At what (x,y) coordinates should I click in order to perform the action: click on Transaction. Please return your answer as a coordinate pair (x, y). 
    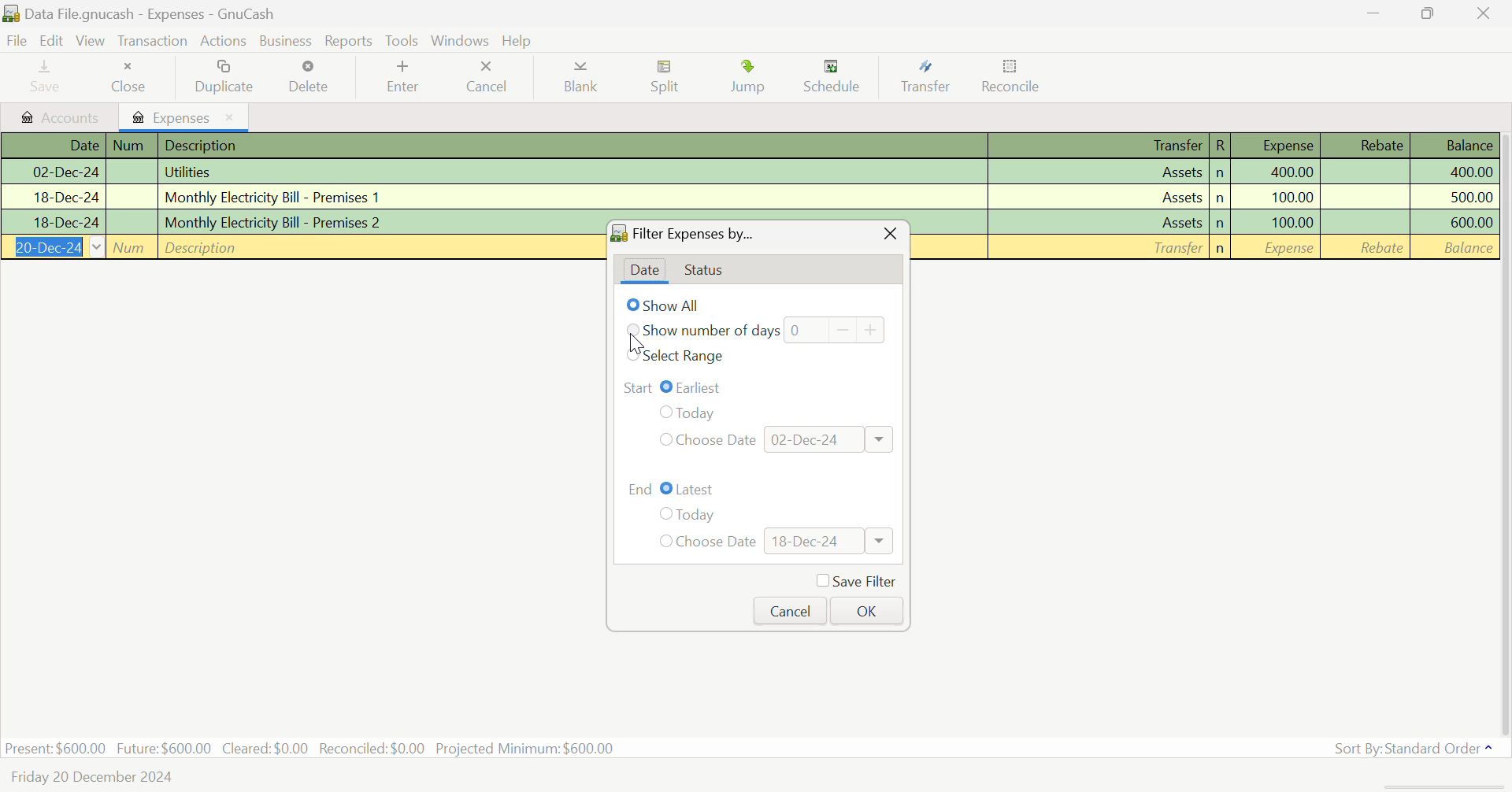
    Looking at the image, I should click on (150, 41).